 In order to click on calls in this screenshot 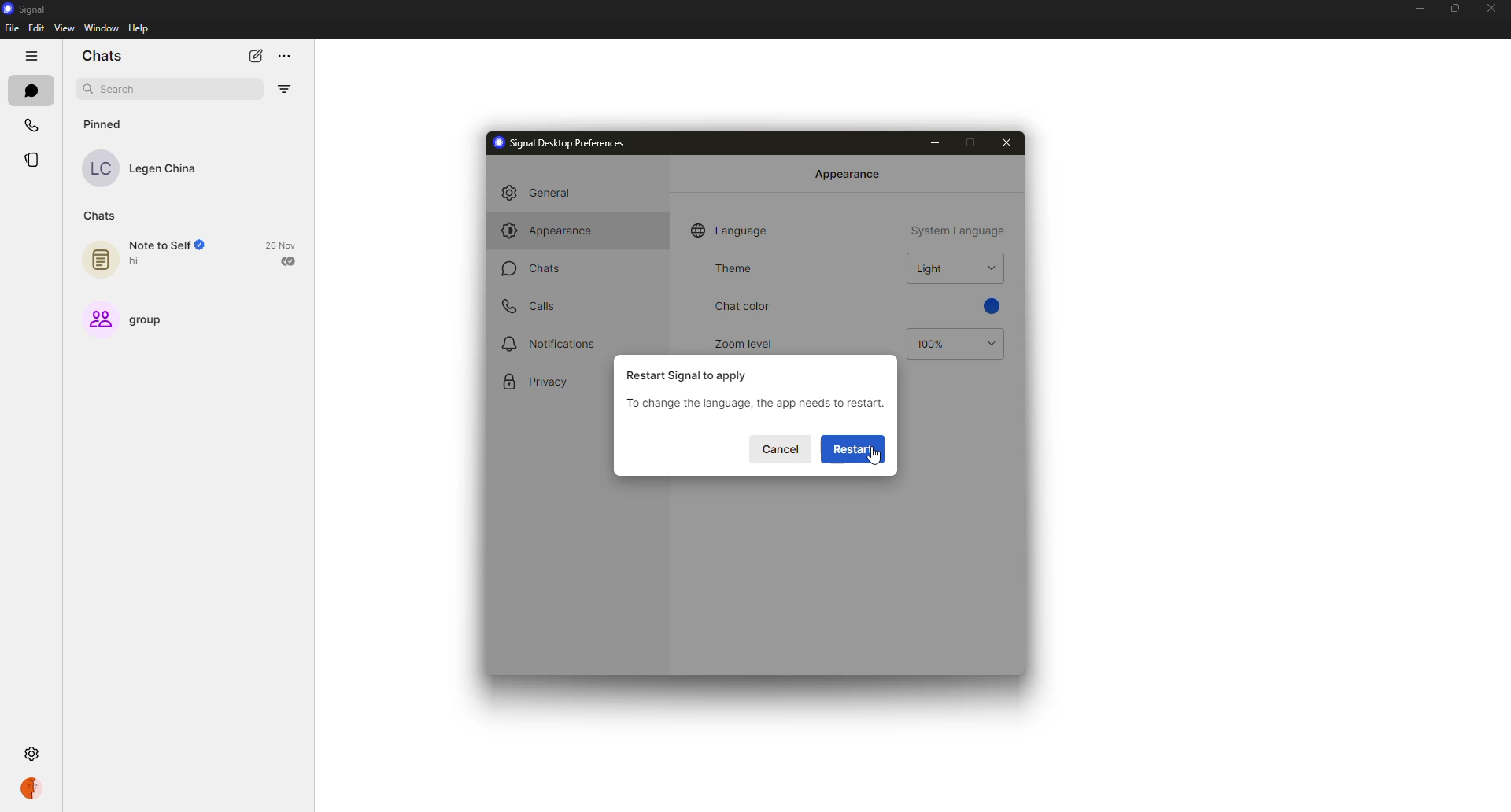, I will do `click(33, 124)`.